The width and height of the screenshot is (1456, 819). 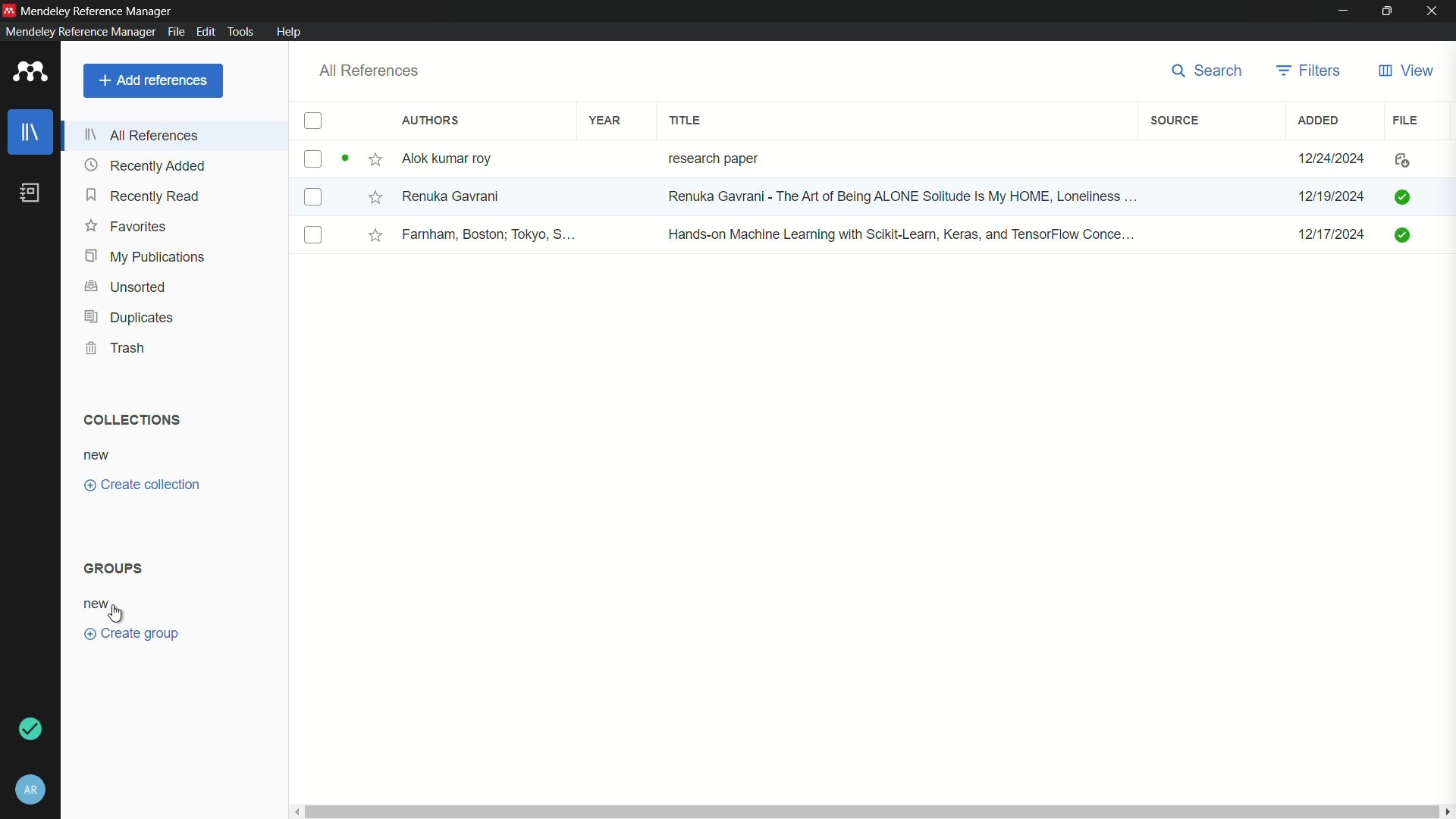 I want to click on my publications, so click(x=146, y=256).